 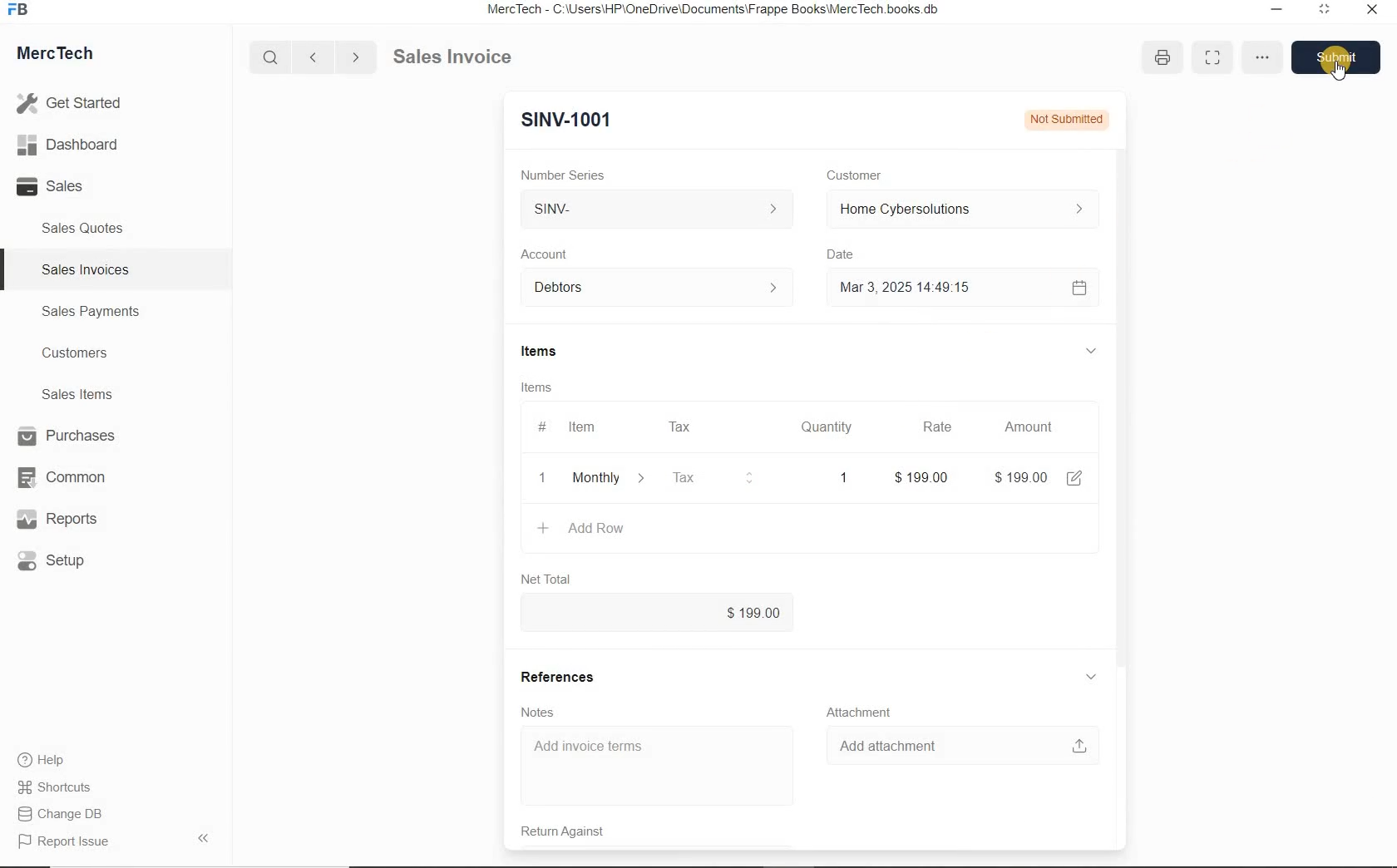 What do you see at coordinates (926, 476) in the screenshot?
I see `rate: $0.00` at bounding box center [926, 476].